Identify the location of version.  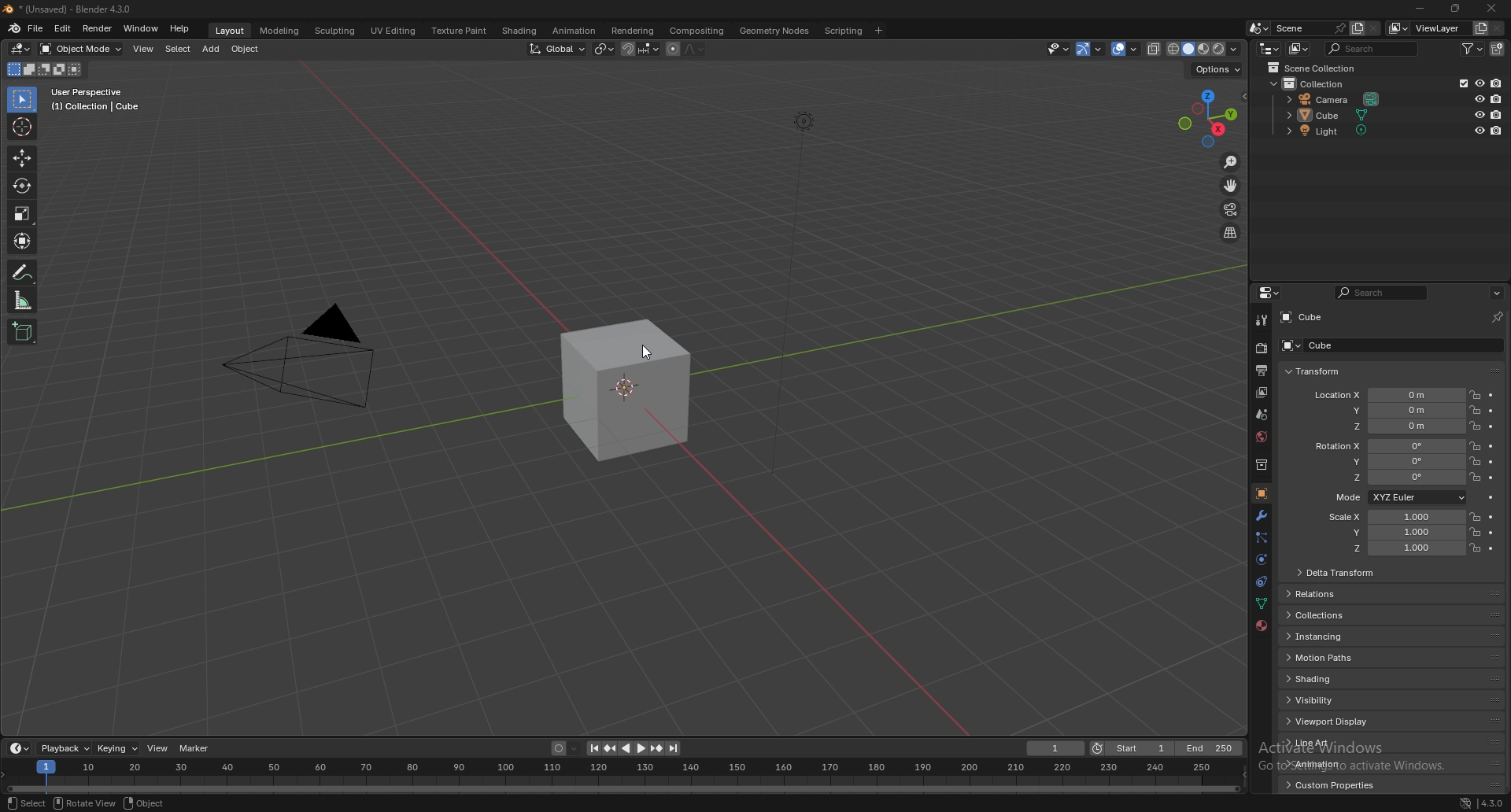
(1493, 803).